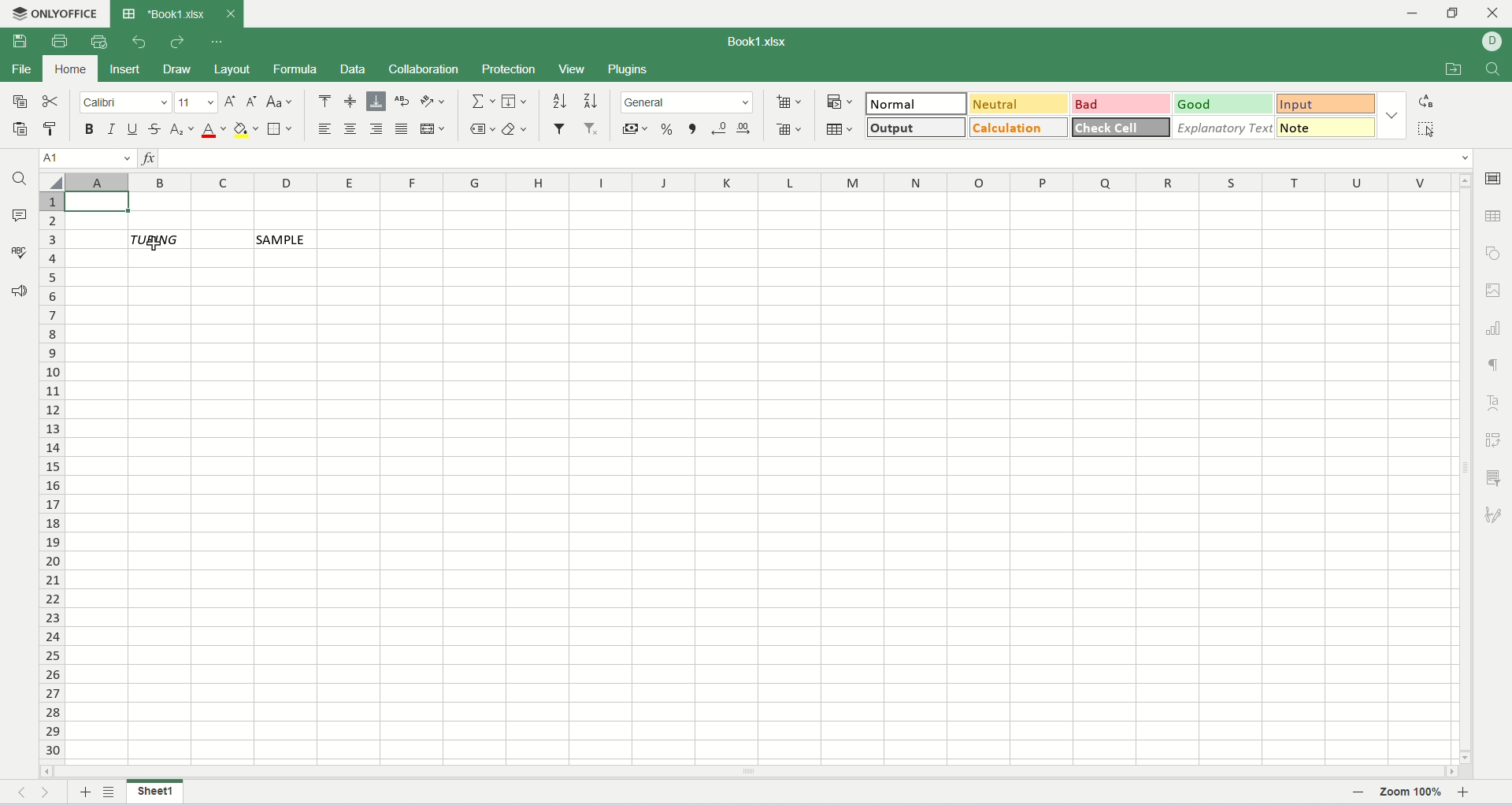 The image size is (1512, 805). What do you see at coordinates (1466, 469) in the screenshot?
I see `vertical scroll` at bounding box center [1466, 469].